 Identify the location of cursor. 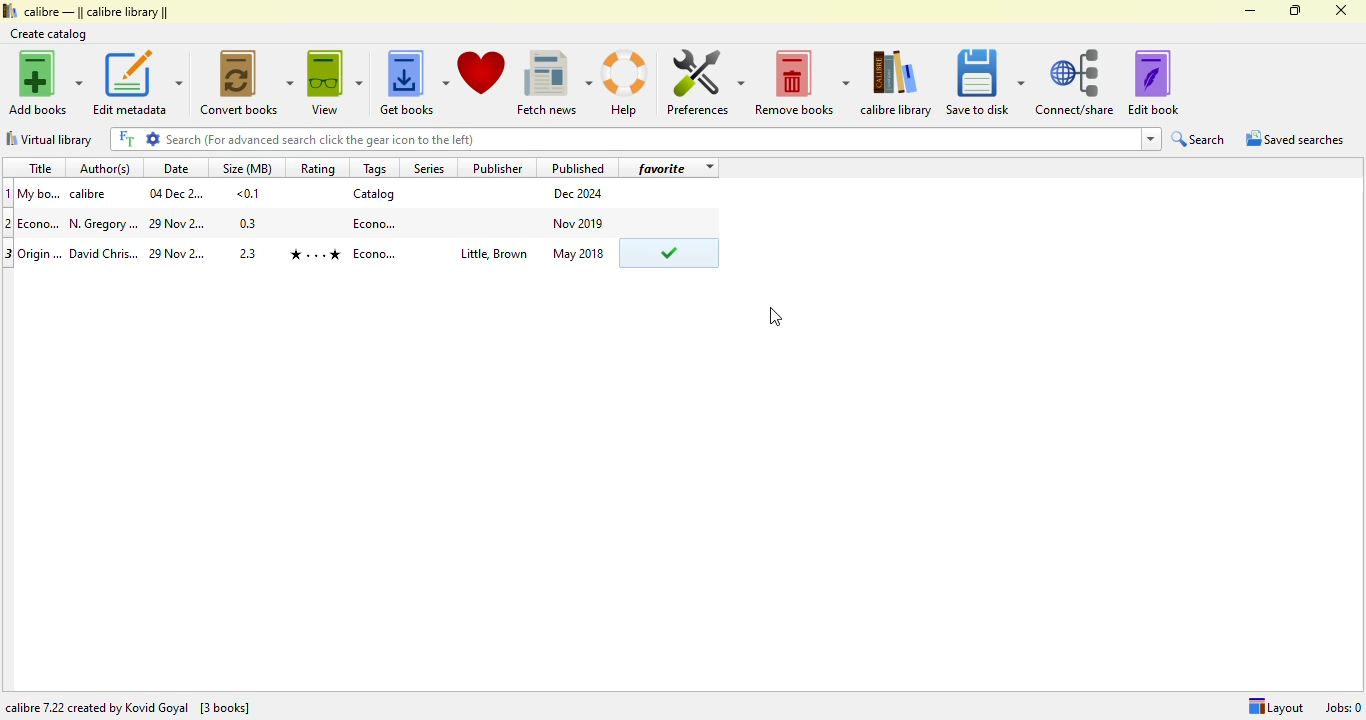
(776, 316).